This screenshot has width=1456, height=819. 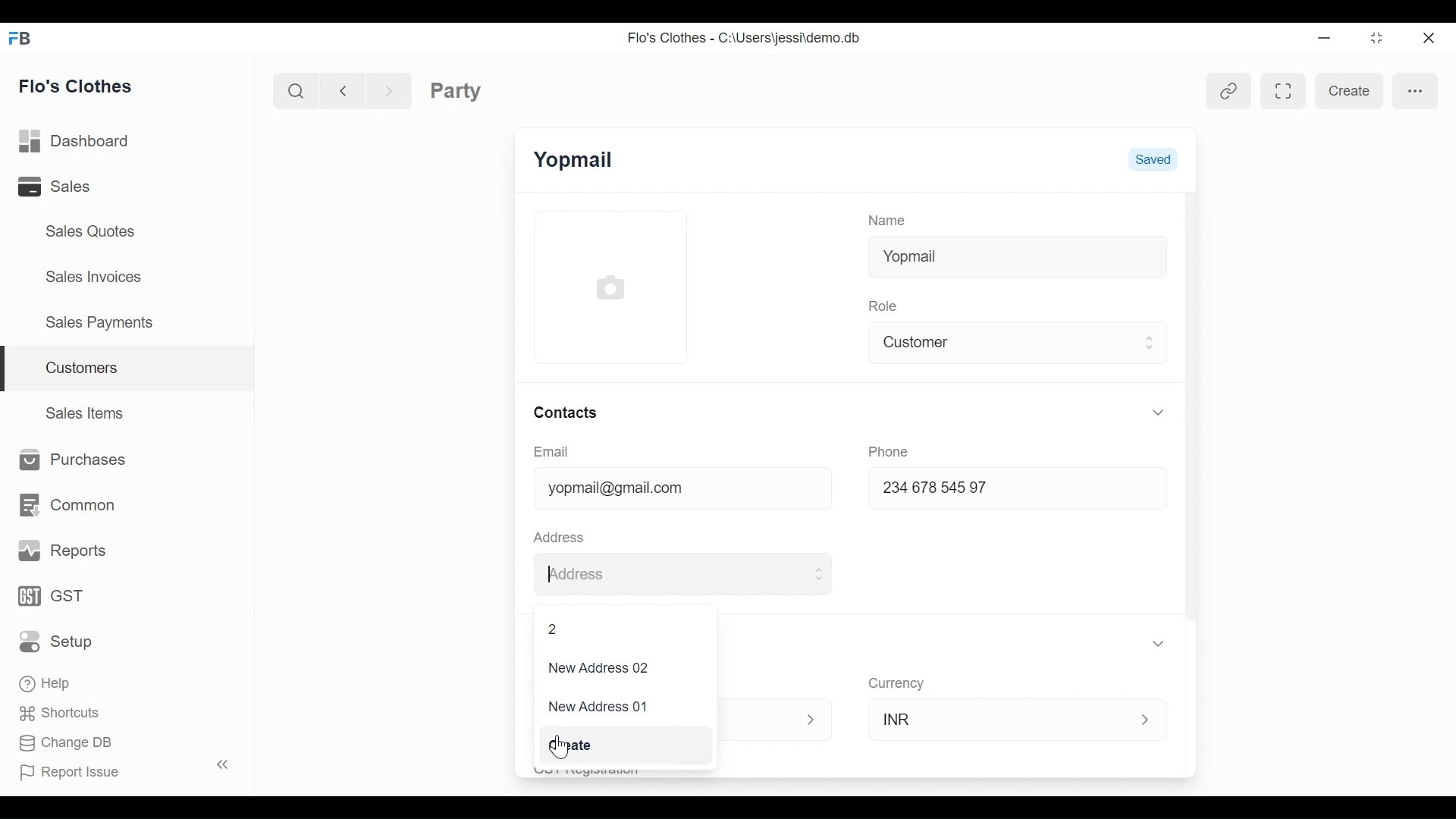 I want to click on Email, so click(x=551, y=452).